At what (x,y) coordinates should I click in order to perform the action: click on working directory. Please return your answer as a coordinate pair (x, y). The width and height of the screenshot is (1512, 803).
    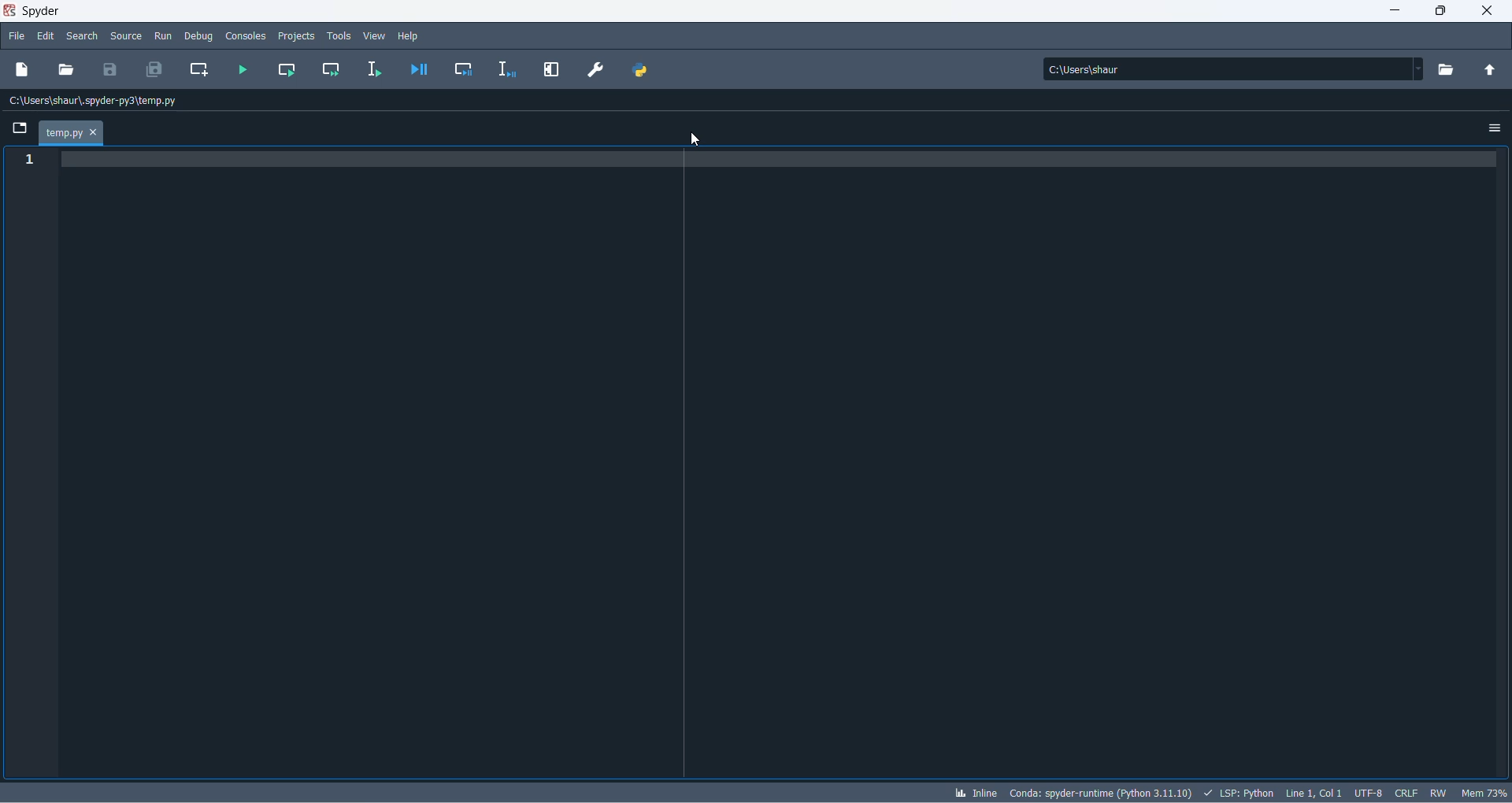
    Looking at the image, I should click on (1450, 71).